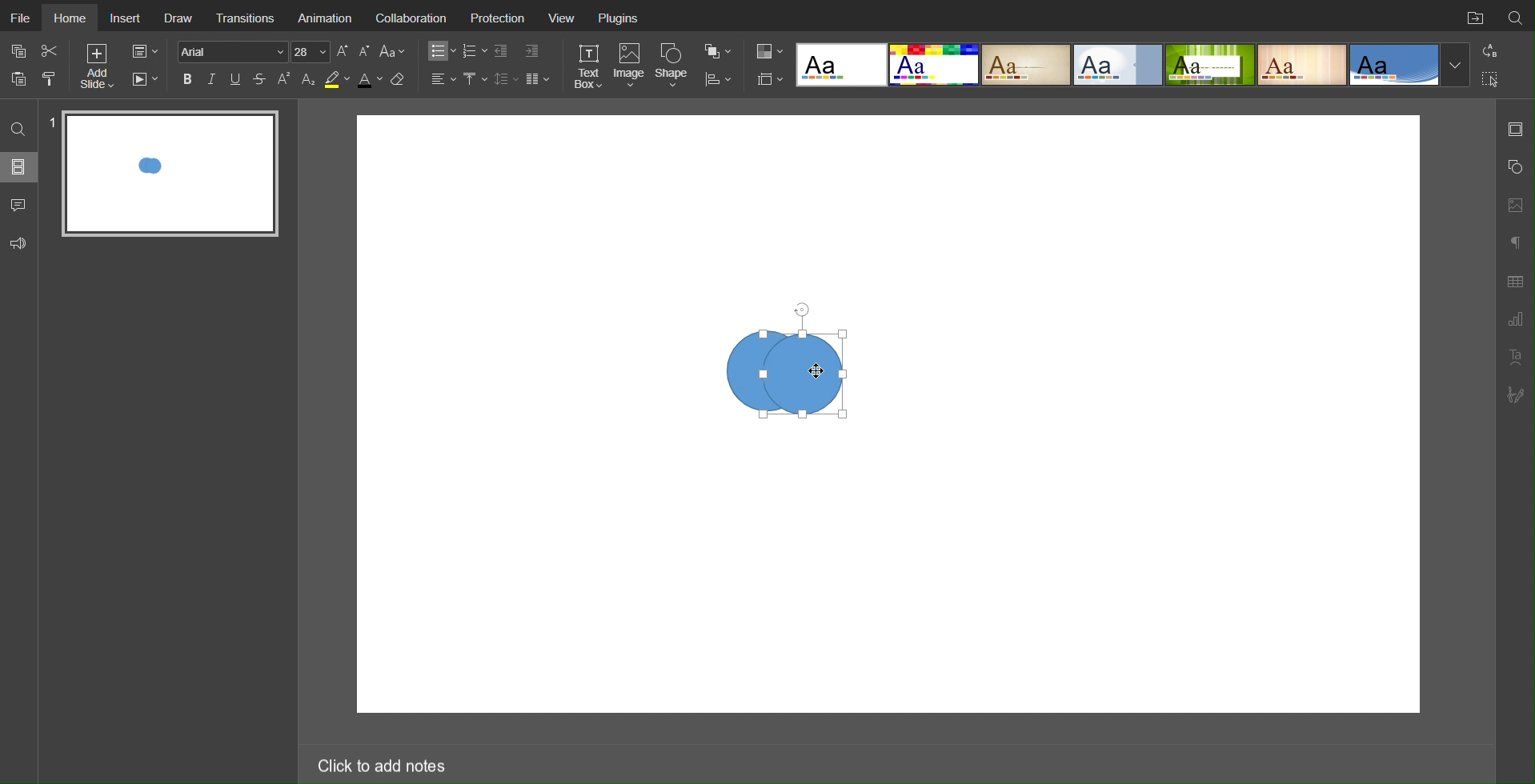 The image size is (1535, 784). What do you see at coordinates (631, 66) in the screenshot?
I see `Image` at bounding box center [631, 66].